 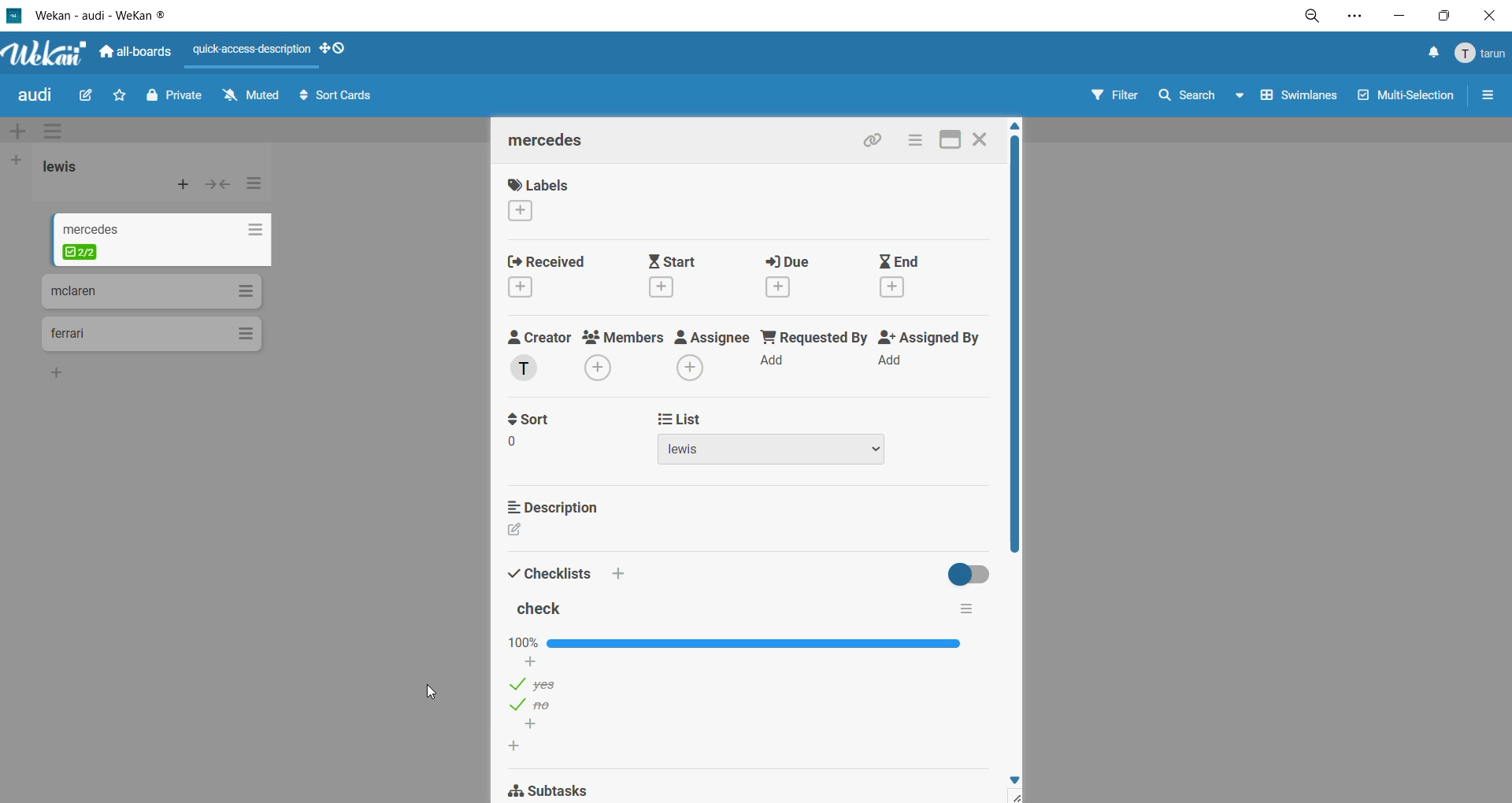 I want to click on add, so click(x=520, y=746).